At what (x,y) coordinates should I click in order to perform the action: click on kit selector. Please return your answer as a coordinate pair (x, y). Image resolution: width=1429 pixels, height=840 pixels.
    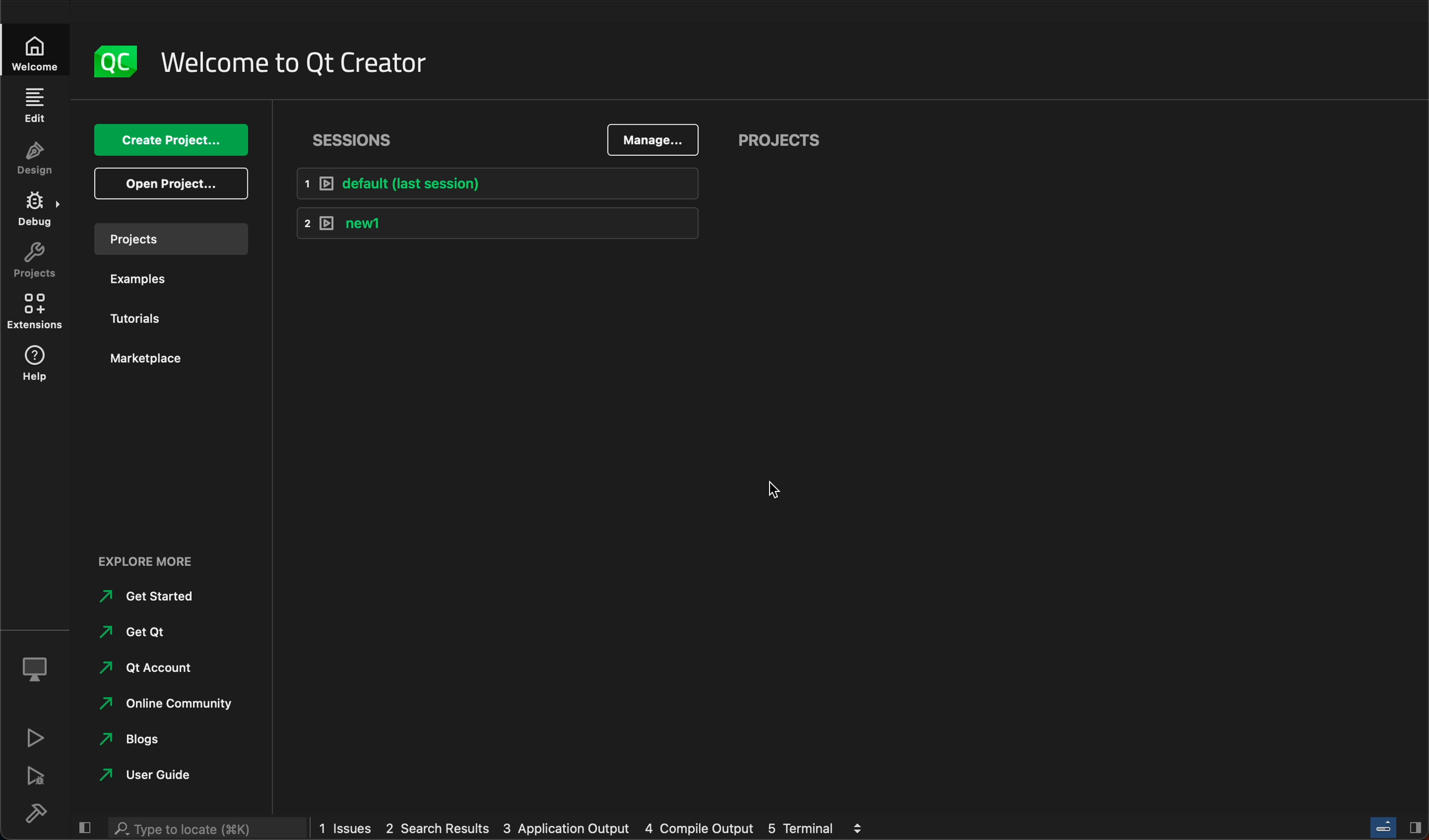
    Looking at the image, I should click on (36, 670).